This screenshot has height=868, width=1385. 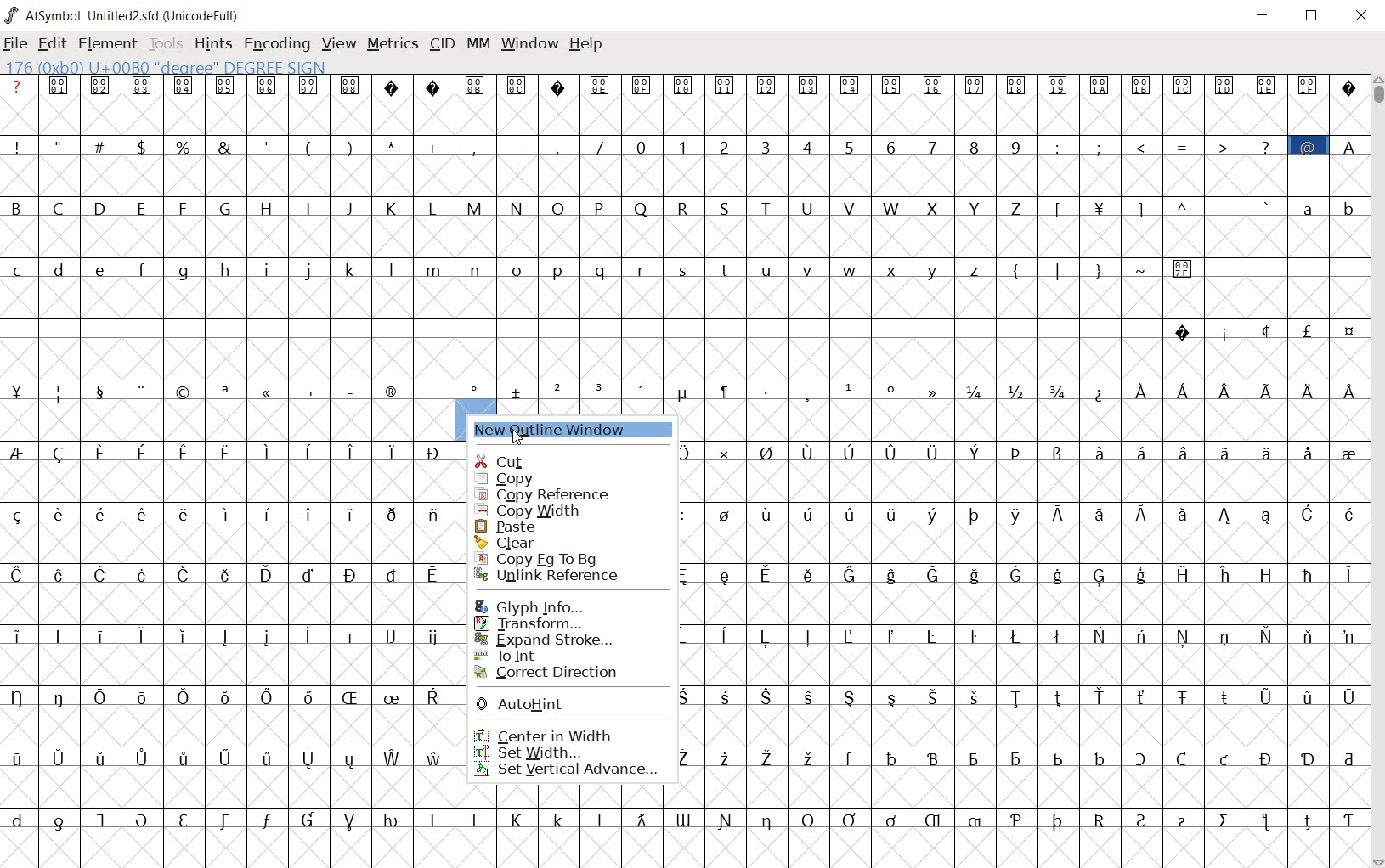 What do you see at coordinates (551, 510) in the screenshot?
I see `copy width` at bounding box center [551, 510].